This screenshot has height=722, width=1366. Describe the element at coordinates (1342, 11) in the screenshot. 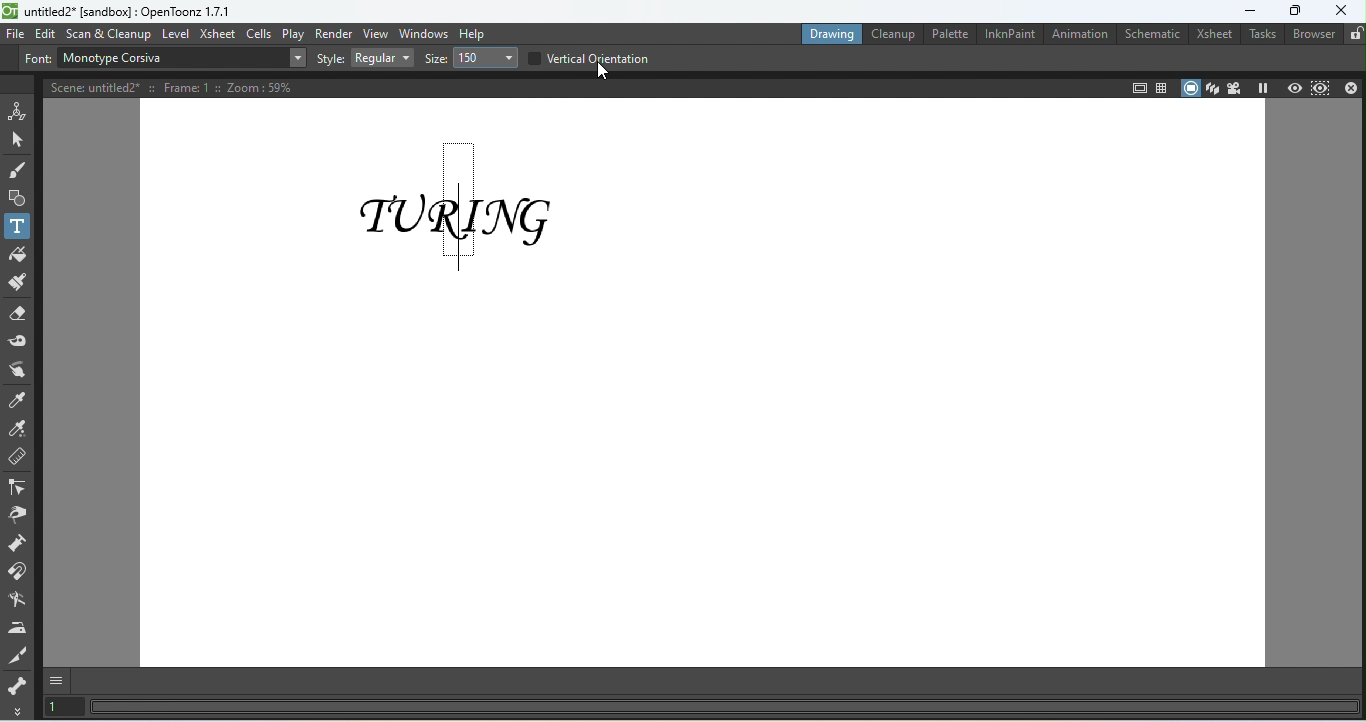

I see `Close` at that location.